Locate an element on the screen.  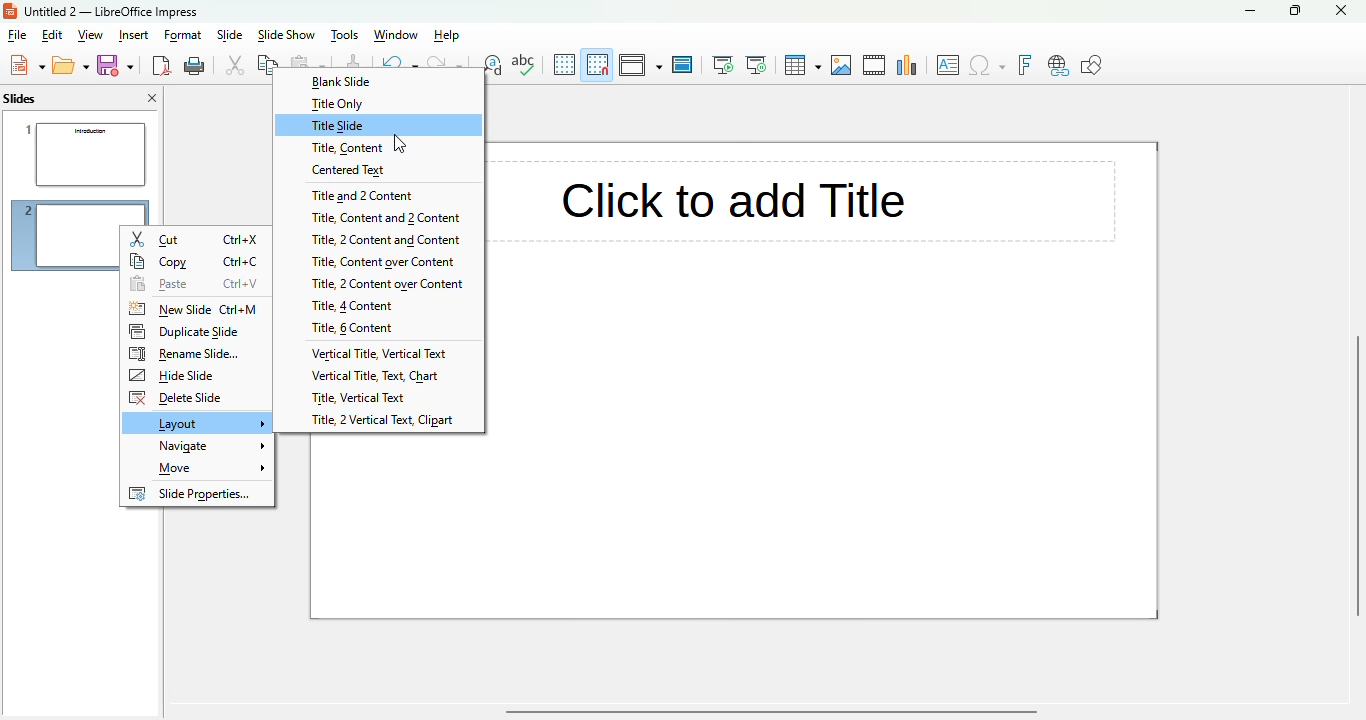
layout is located at coordinates (200, 423).